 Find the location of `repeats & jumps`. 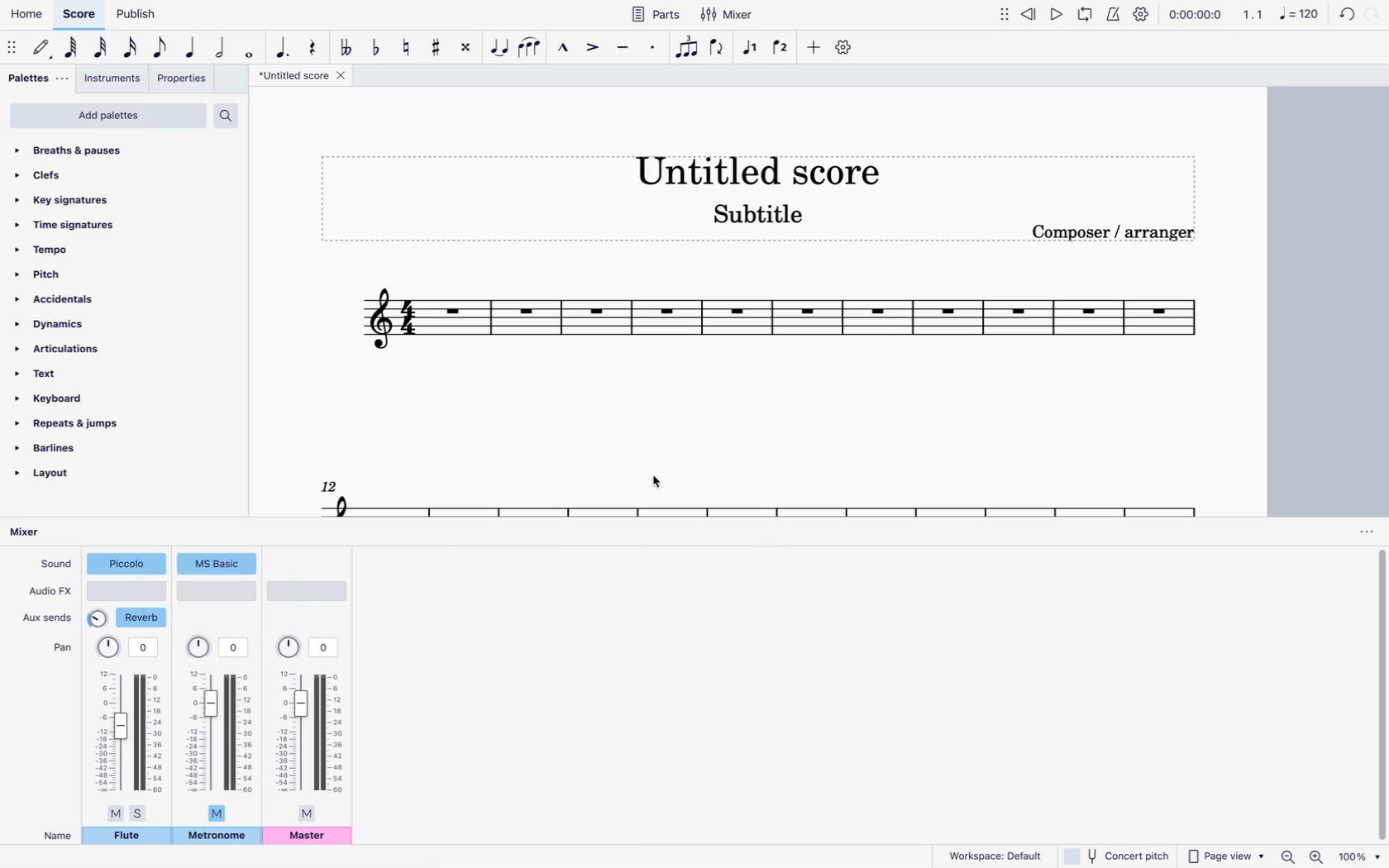

repeats & jumps is located at coordinates (79, 425).